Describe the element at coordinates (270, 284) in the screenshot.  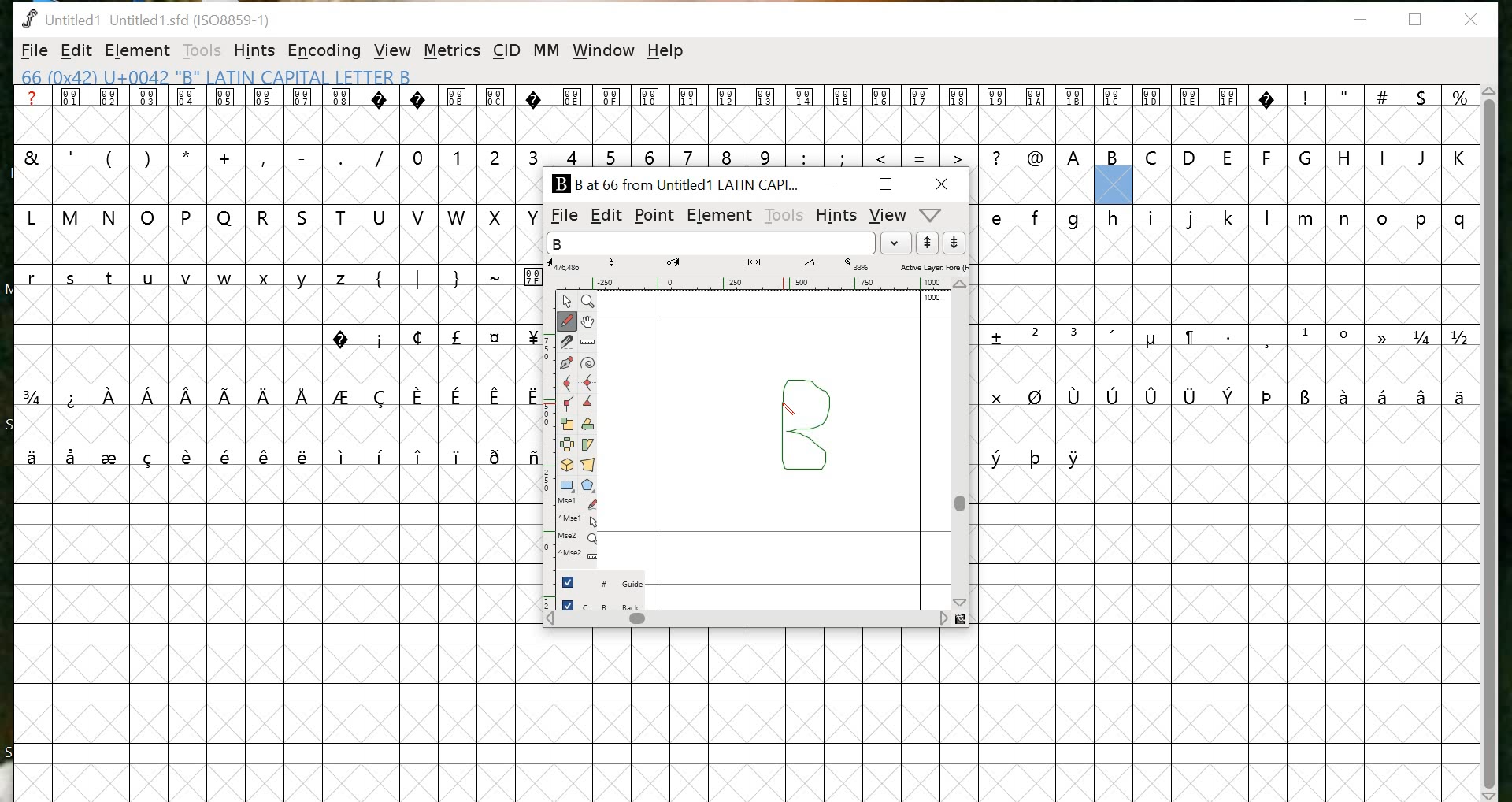
I see `glyphs` at that location.